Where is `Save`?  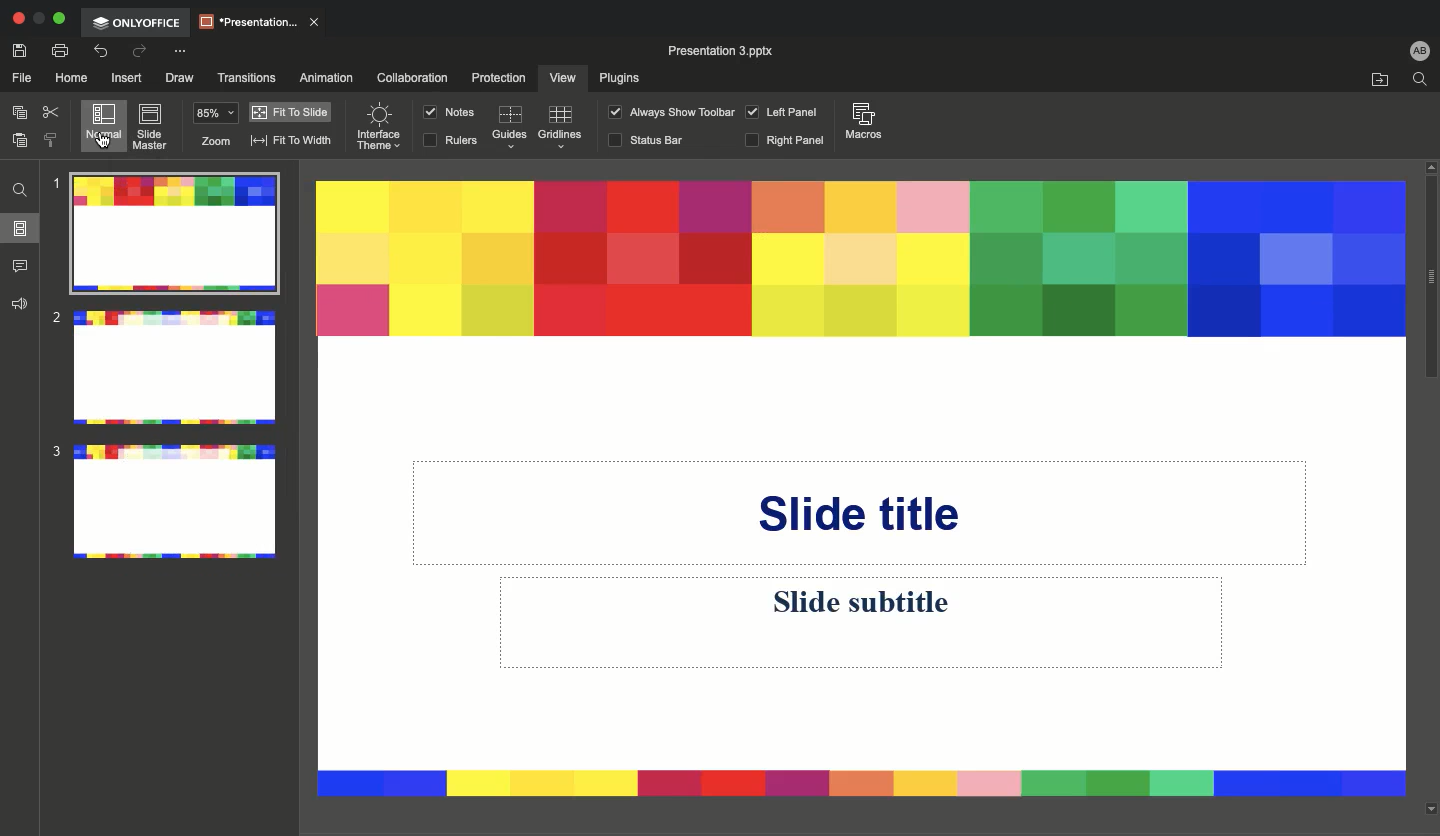
Save is located at coordinates (19, 50).